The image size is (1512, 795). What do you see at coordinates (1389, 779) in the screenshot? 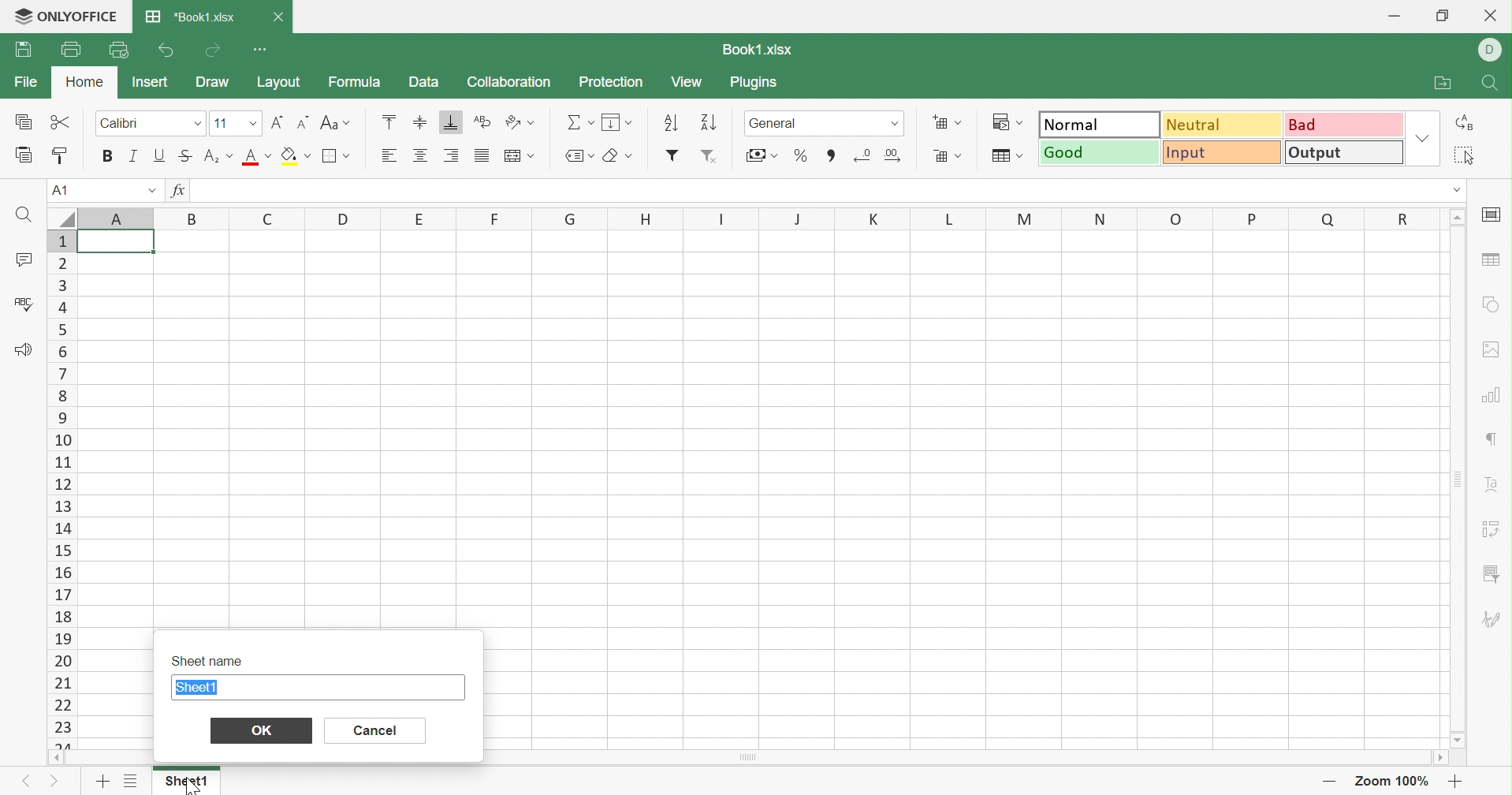
I see `Zoom 100%` at bounding box center [1389, 779].